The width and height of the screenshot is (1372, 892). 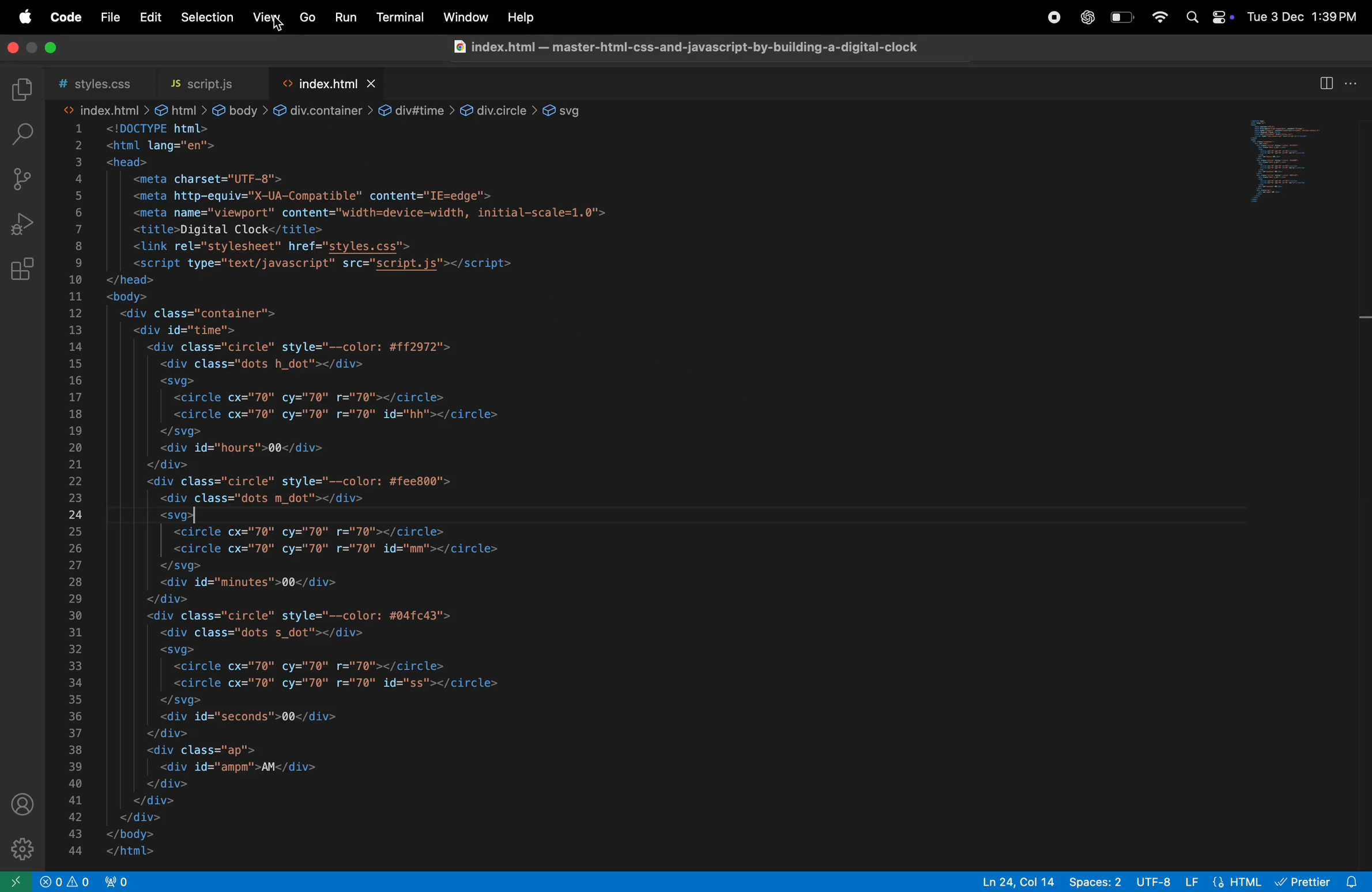 I want to click on utf 8, so click(x=1153, y=879).